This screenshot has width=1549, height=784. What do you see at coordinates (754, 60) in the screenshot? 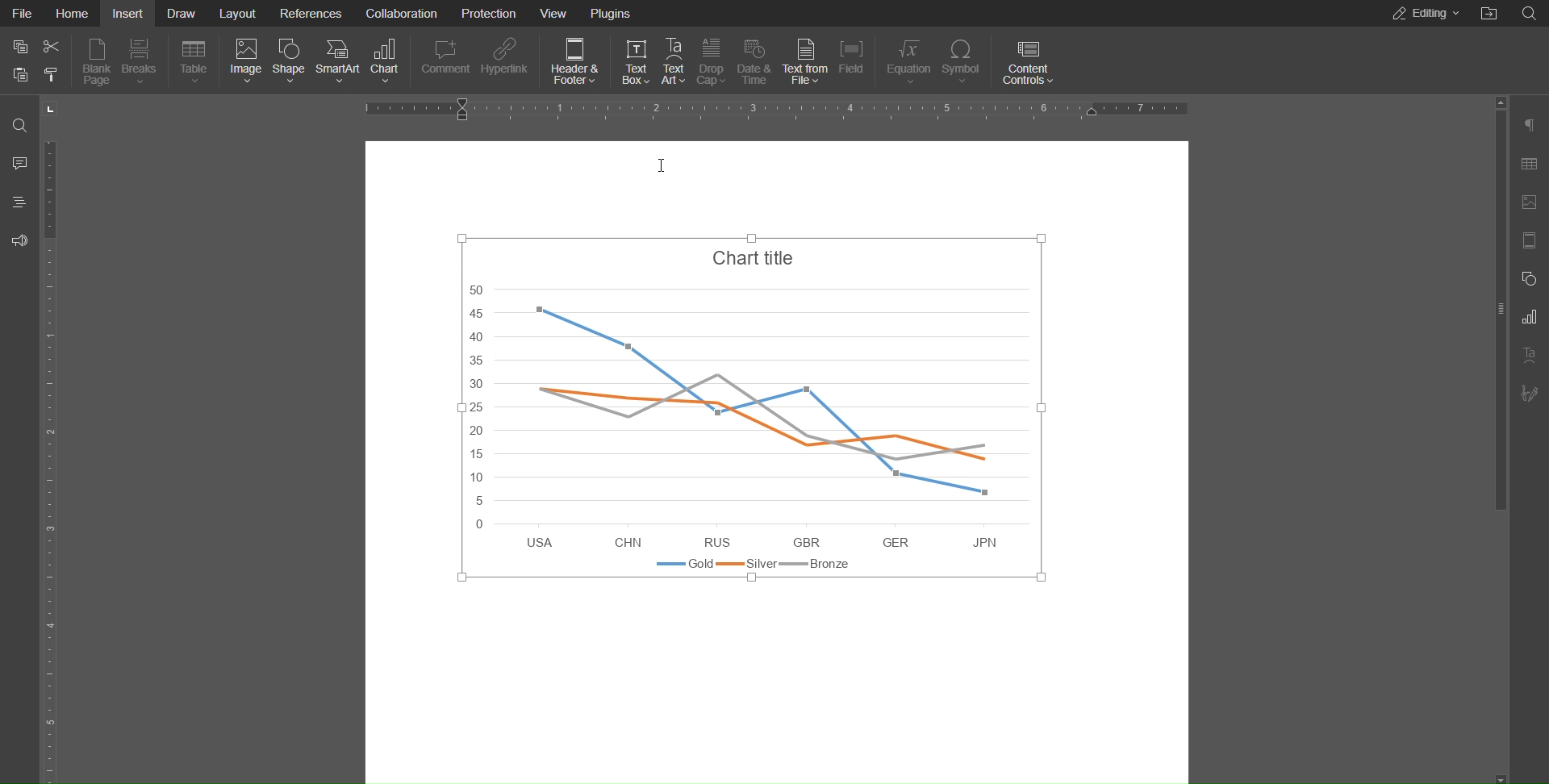
I see `Date and Time` at bounding box center [754, 60].